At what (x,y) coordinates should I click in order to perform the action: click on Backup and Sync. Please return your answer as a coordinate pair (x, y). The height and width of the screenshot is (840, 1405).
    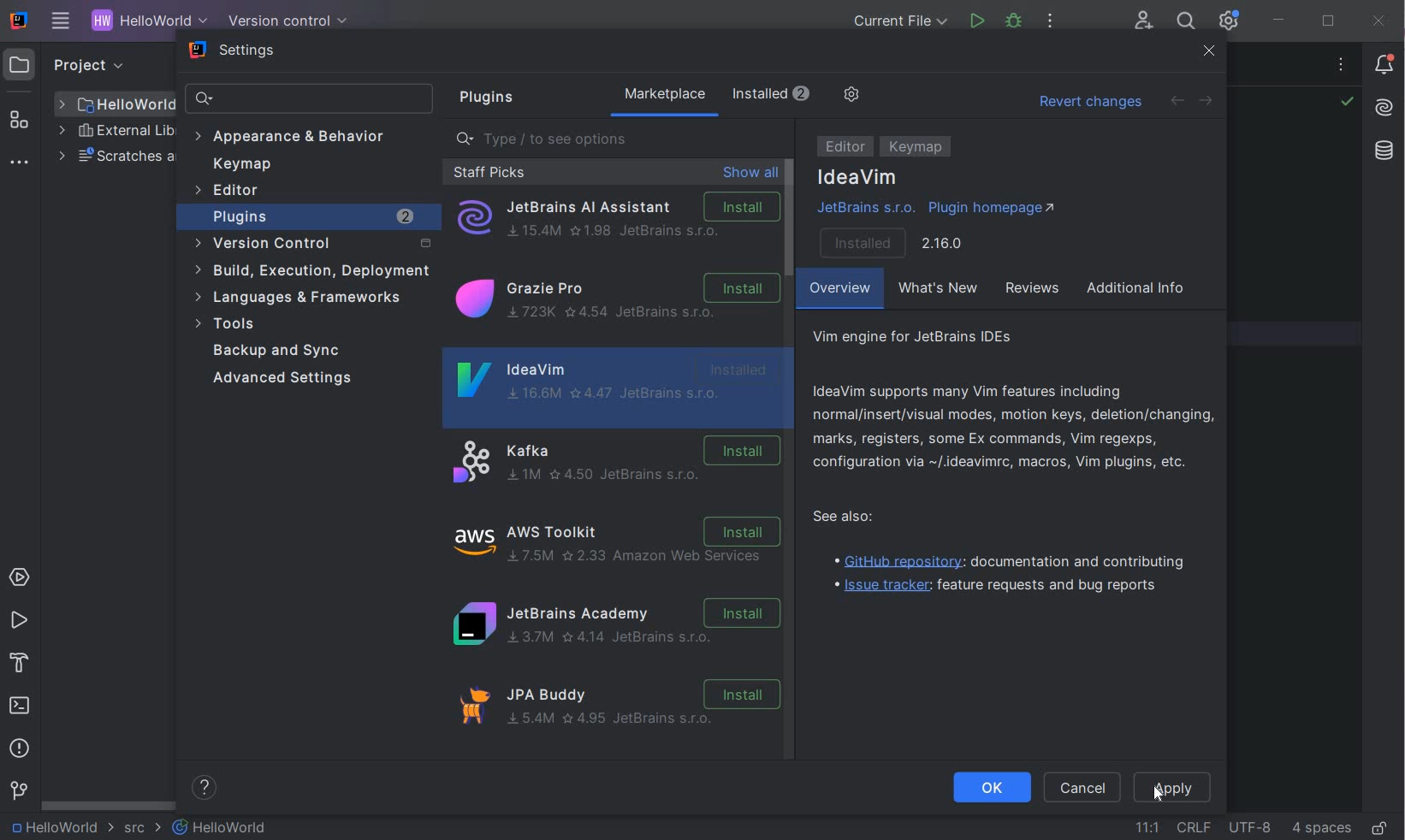
    Looking at the image, I should click on (282, 351).